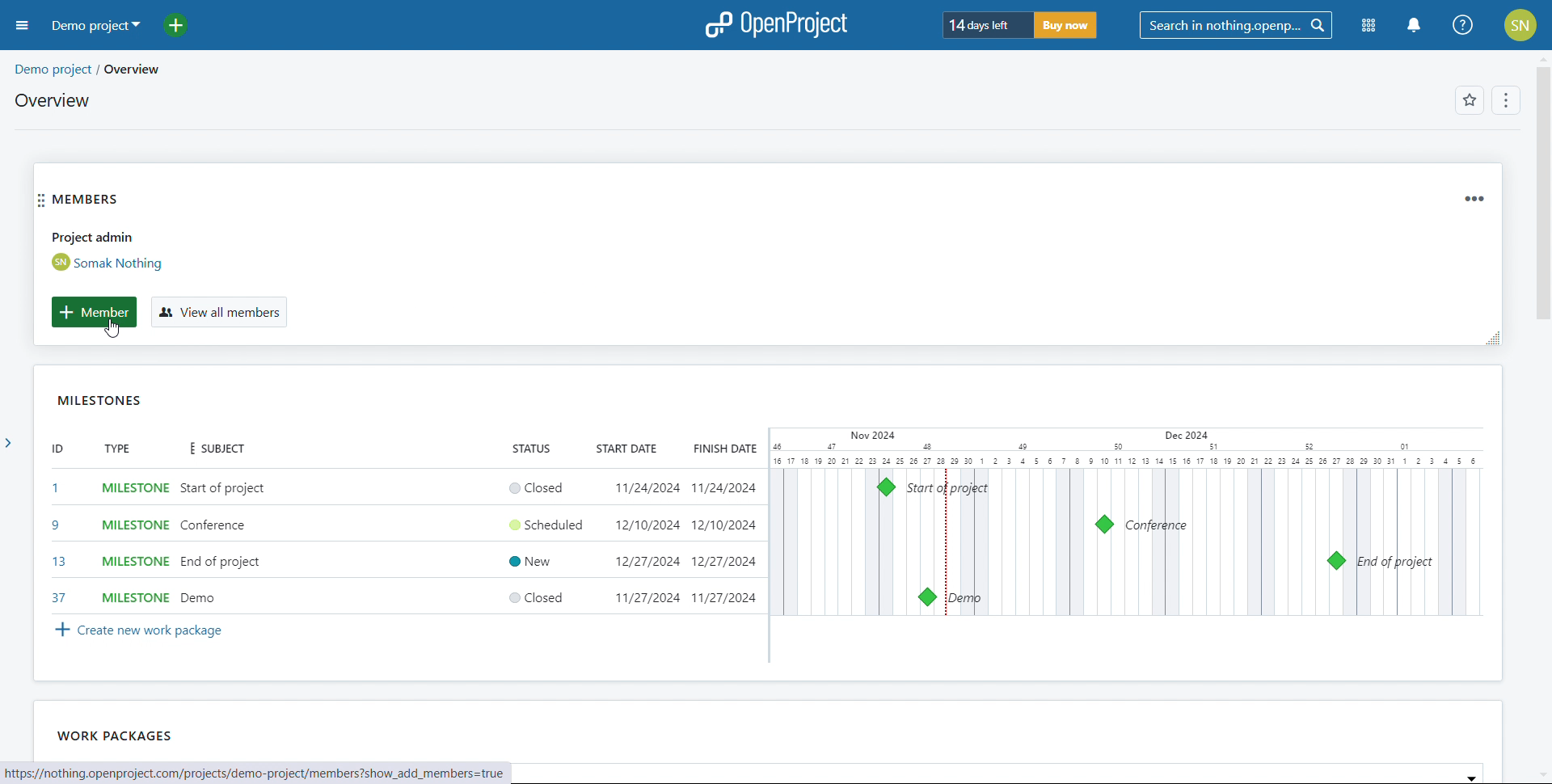 The height and width of the screenshot is (784, 1552). I want to click on Closed, so click(528, 598).